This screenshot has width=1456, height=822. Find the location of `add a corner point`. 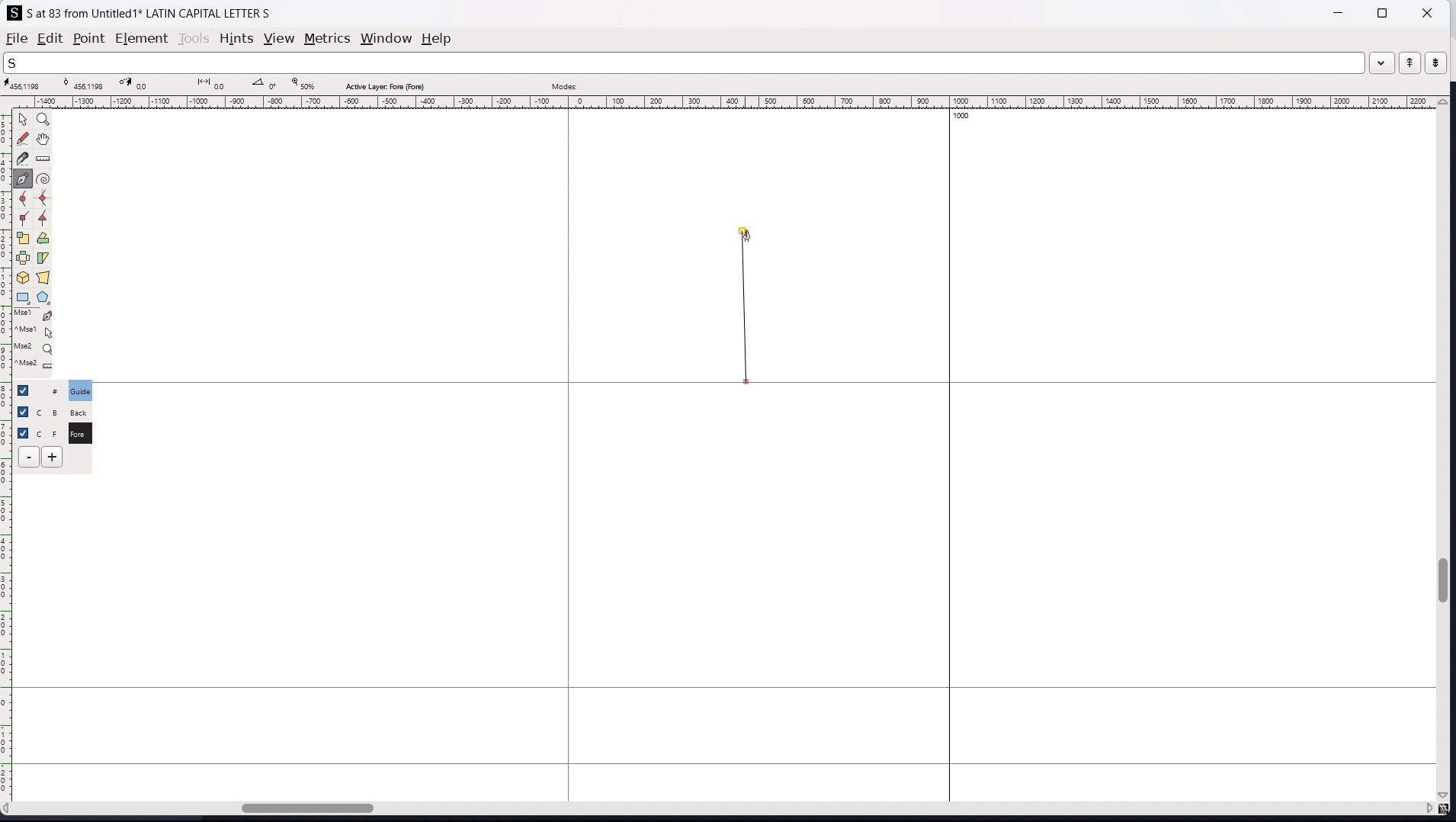

add a corner point is located at coordinates (24, 220).